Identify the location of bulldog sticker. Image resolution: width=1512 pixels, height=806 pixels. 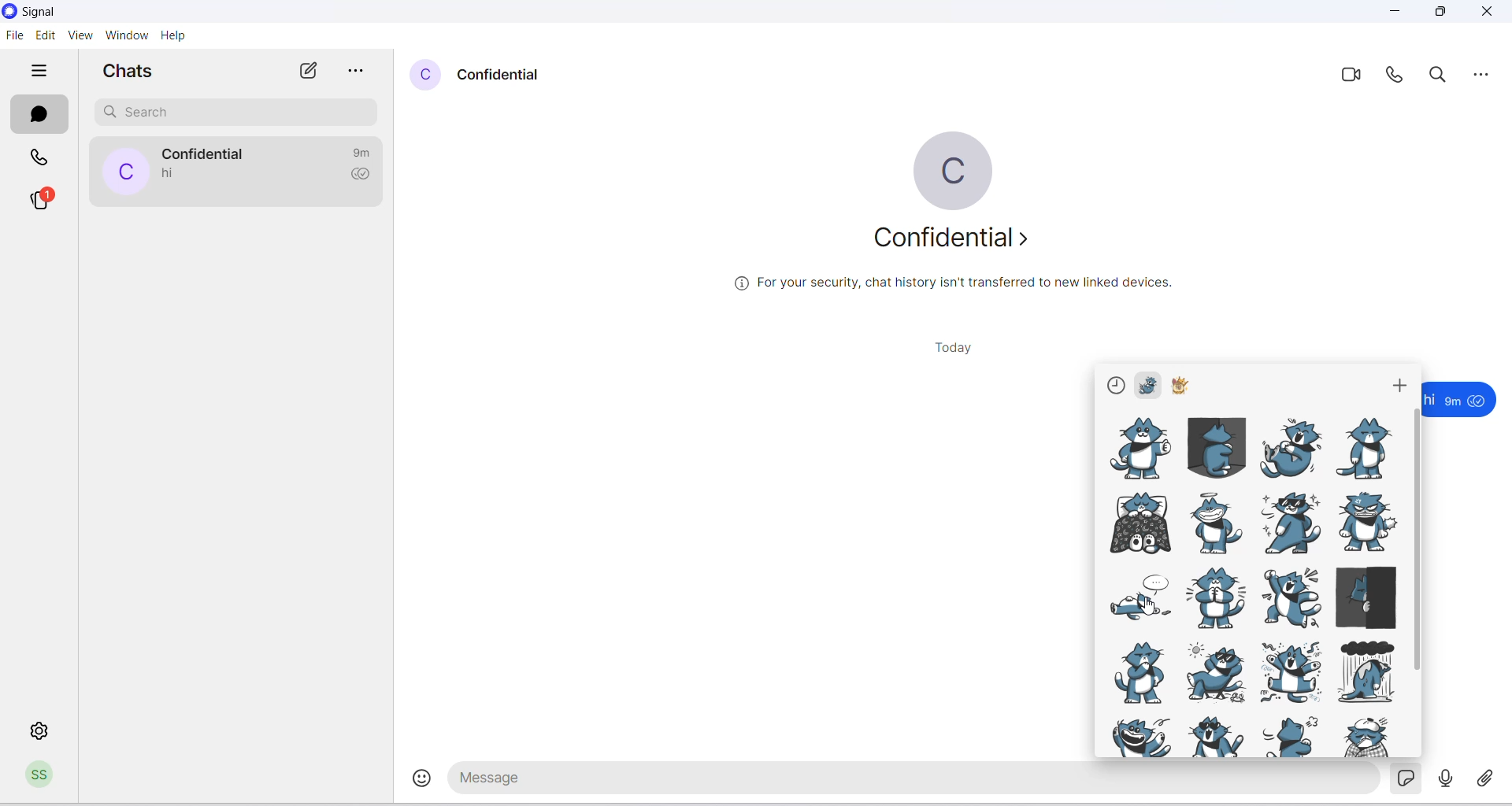
(1184, 386).